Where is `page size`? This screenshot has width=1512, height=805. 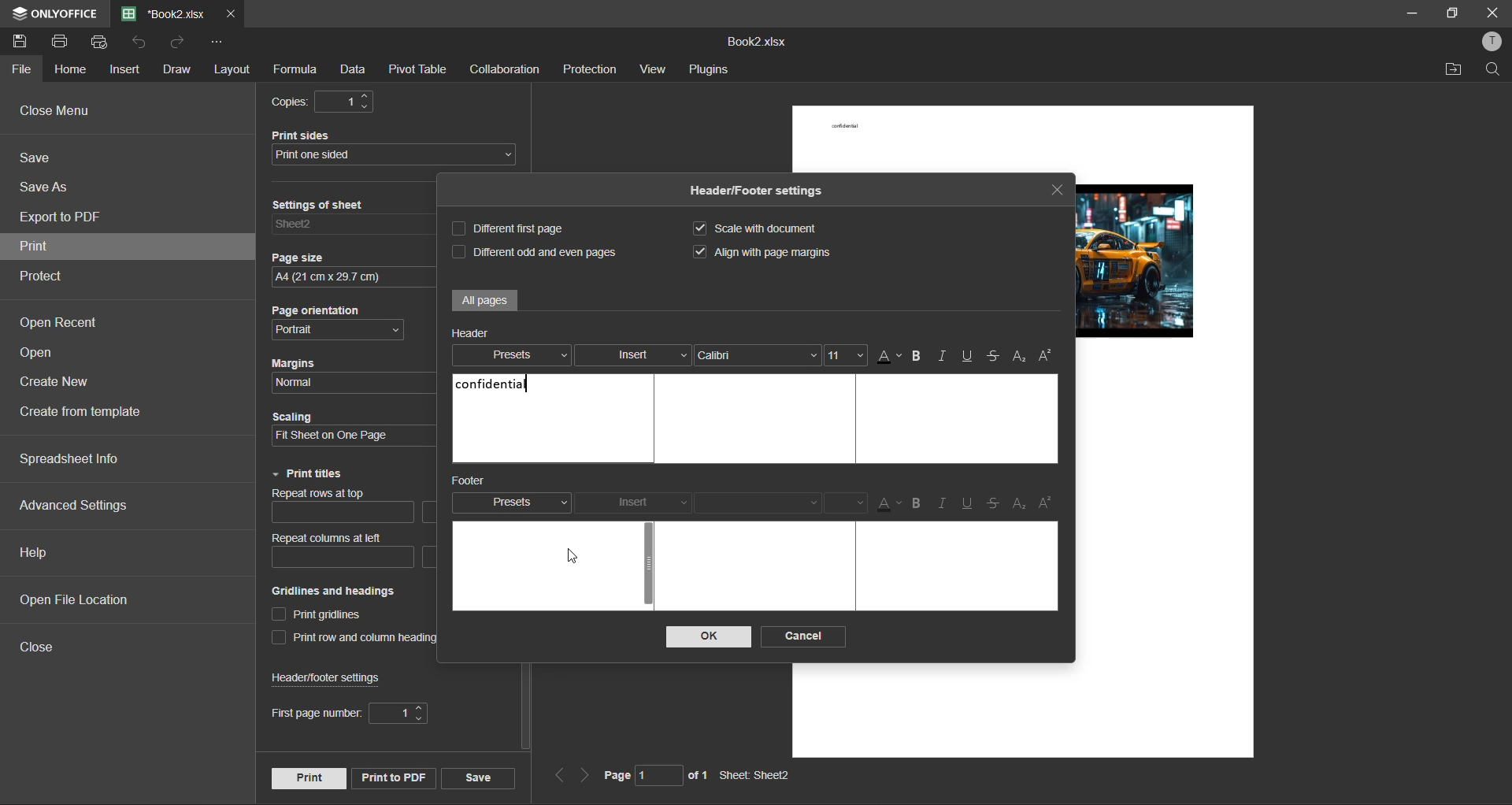
page size is located at coordinates (350, 278).